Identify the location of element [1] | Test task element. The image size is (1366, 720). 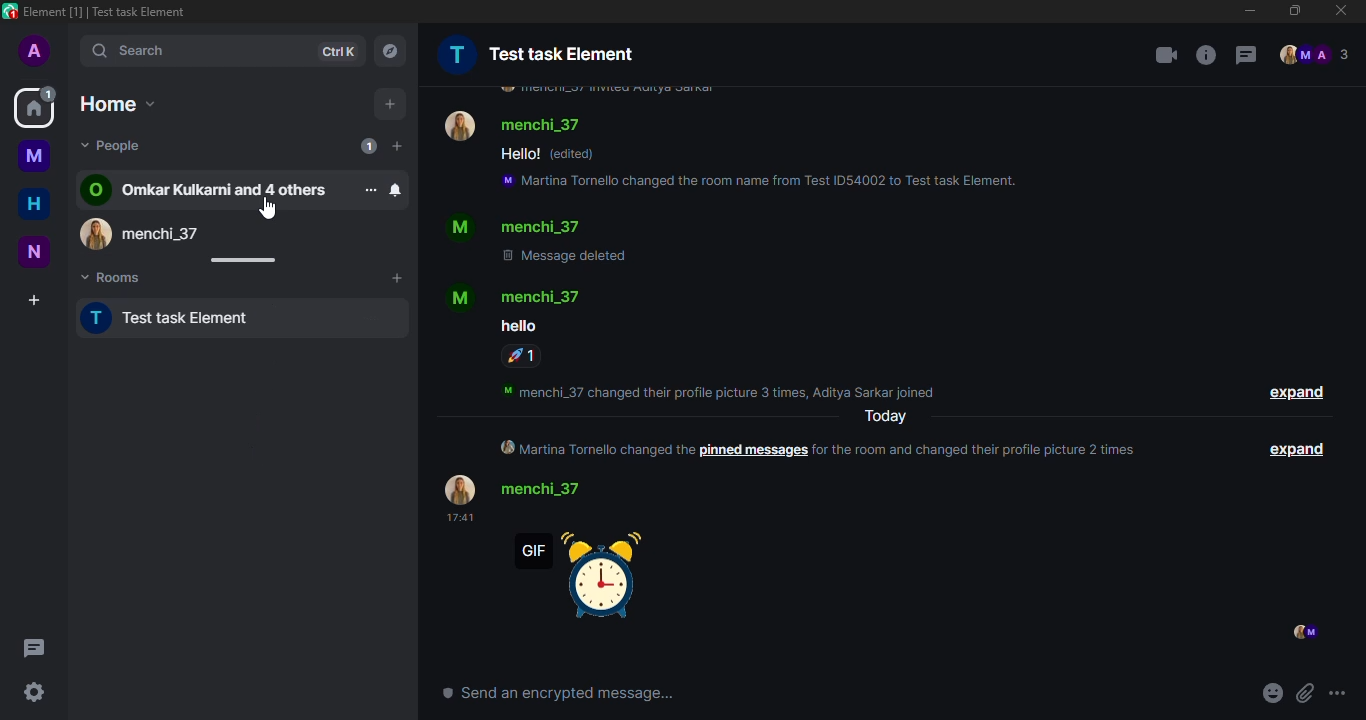
(102, 11).